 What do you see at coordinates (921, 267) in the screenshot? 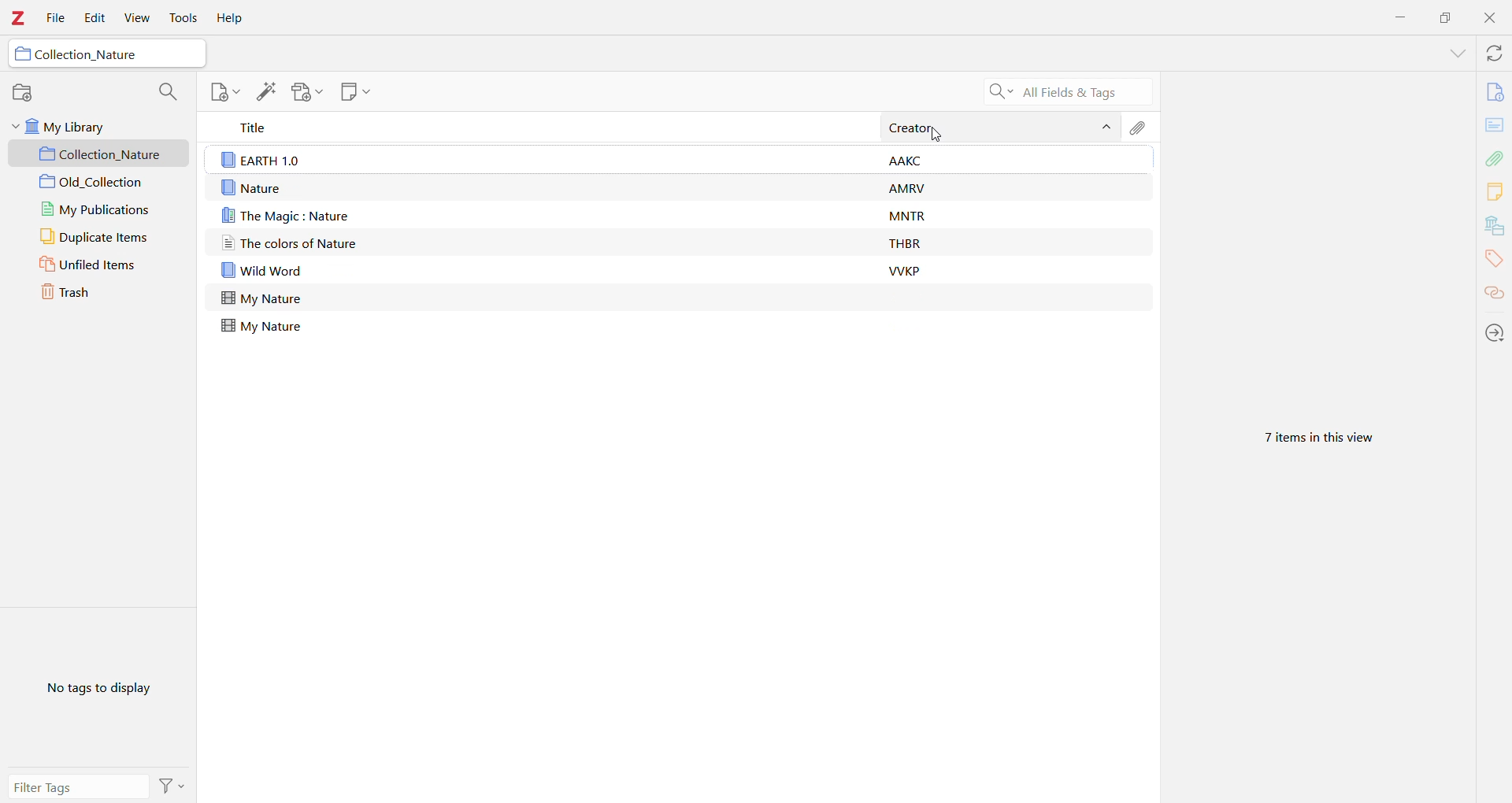
I see `Creator information` at bounding box center [921, 267].